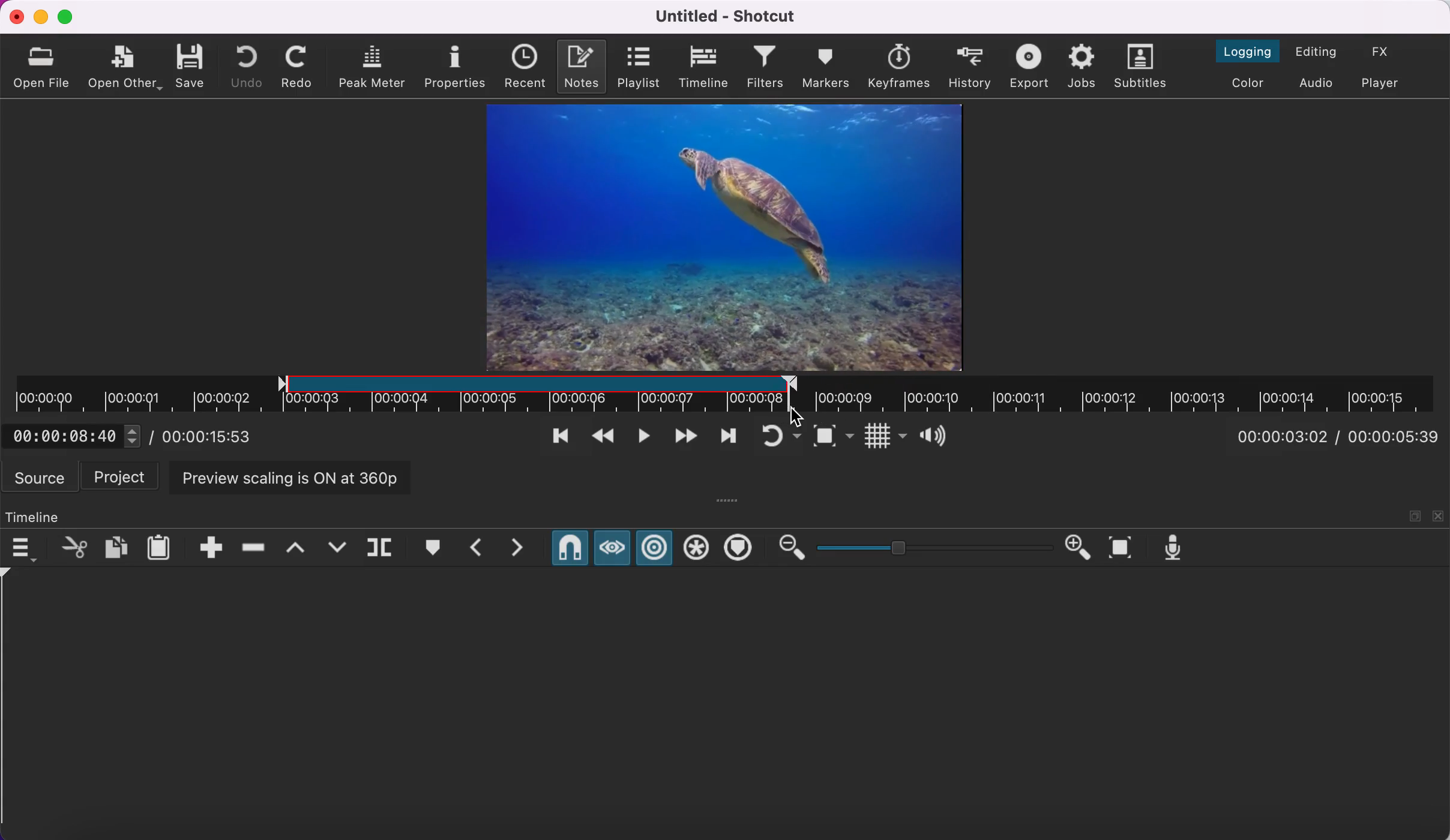 The image size is (1450, 840). Describe the element at coordinates (775, 436) in the screenshot. I see `` at that location.